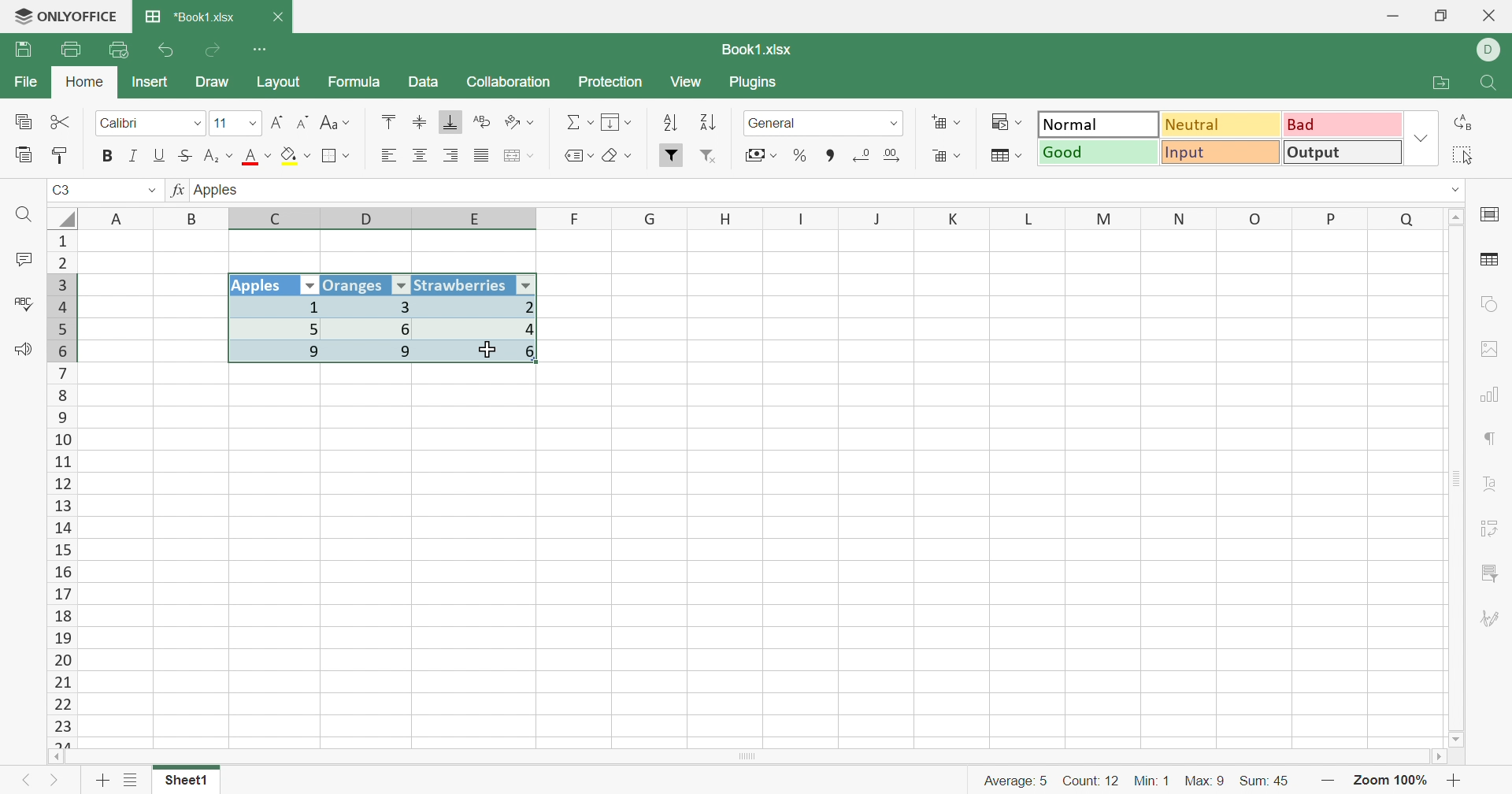  Describe the element at coordinates (522, 122) in the screenshot. I see `Orientation` at that location.